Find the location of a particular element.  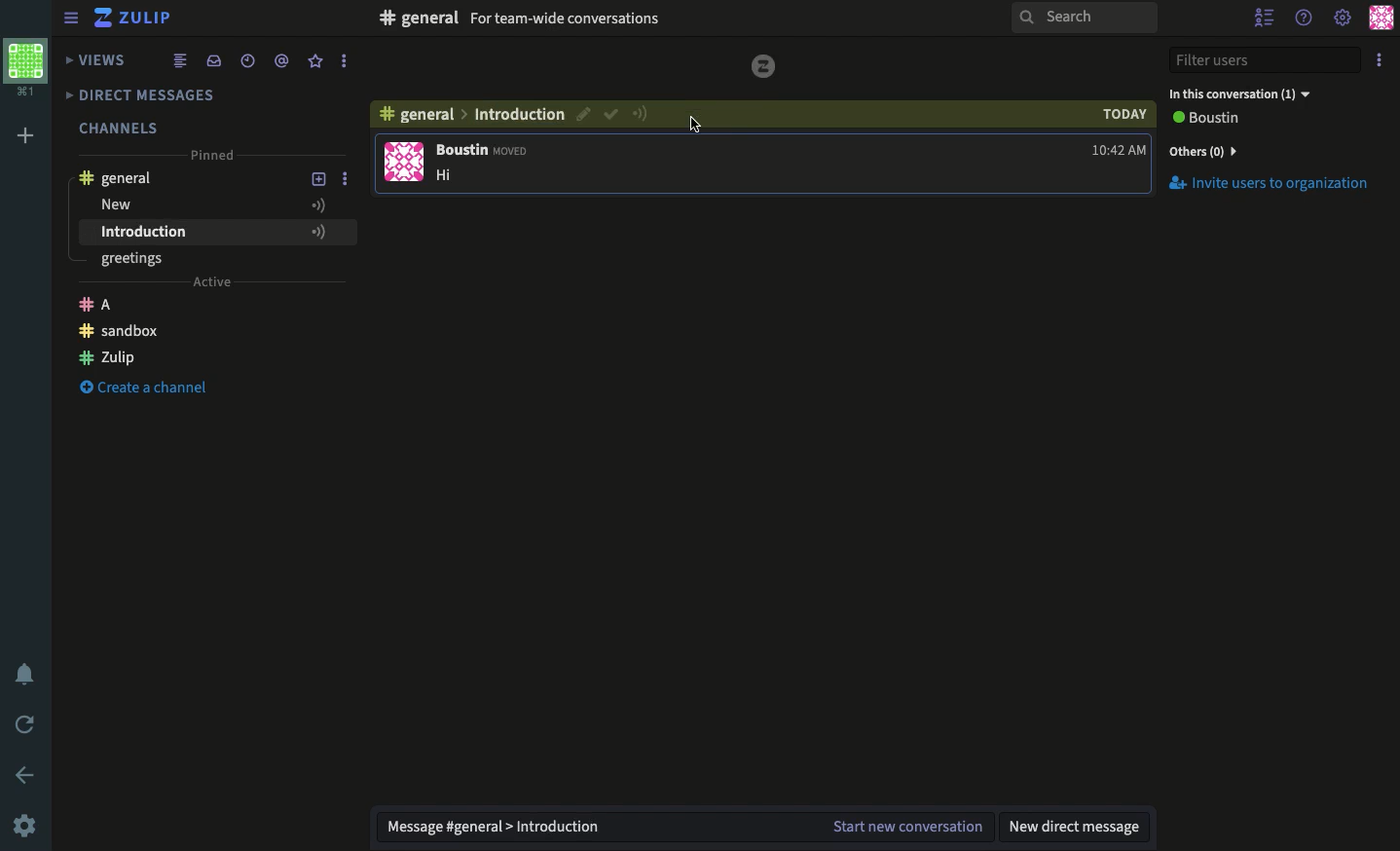

Add is located at coordinates (28, 133).